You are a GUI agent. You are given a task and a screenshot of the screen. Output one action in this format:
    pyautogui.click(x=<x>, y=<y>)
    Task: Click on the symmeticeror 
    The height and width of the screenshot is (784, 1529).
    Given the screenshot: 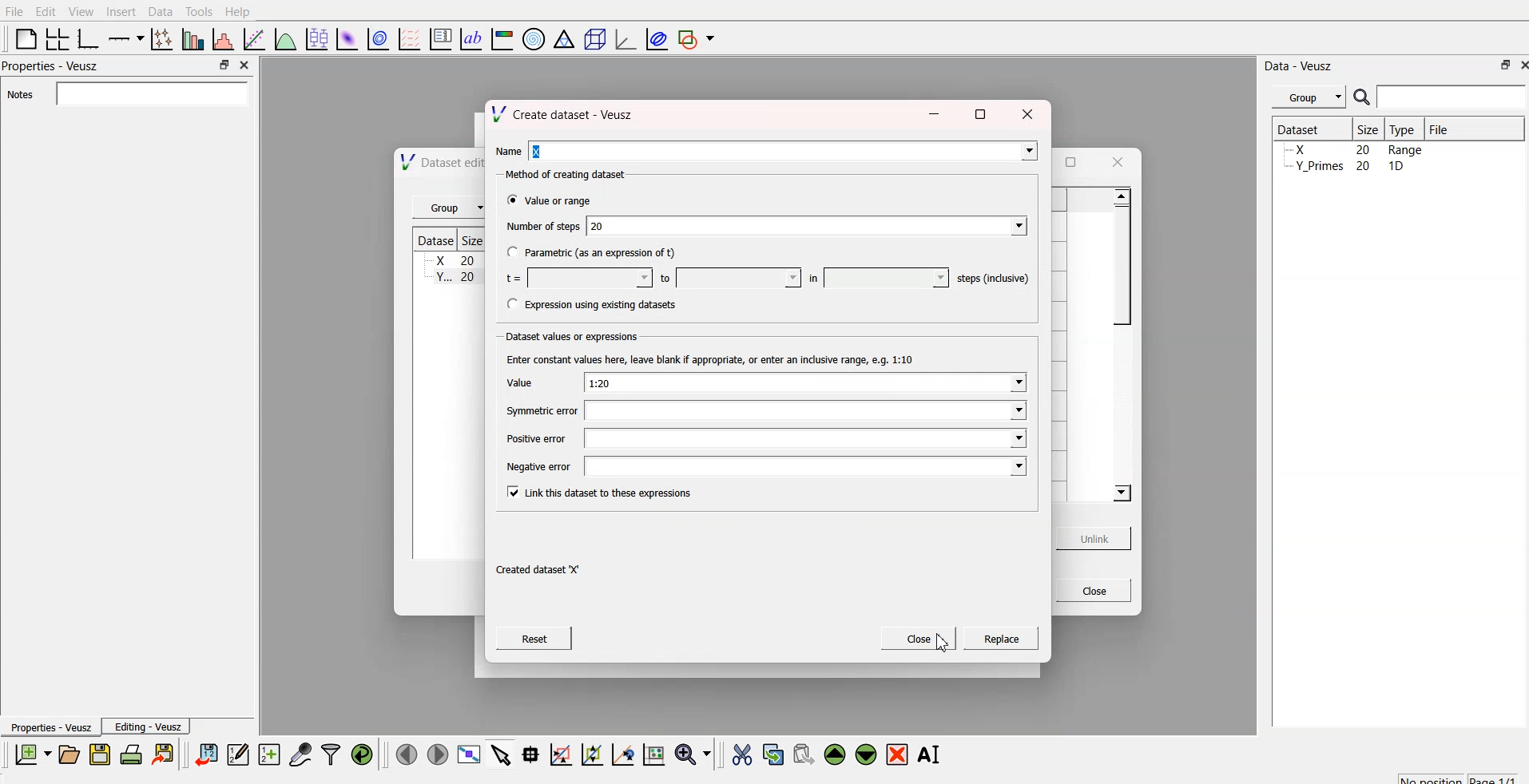 What is the action you would take?
    pyautogui.click(x=761, y=410)
    